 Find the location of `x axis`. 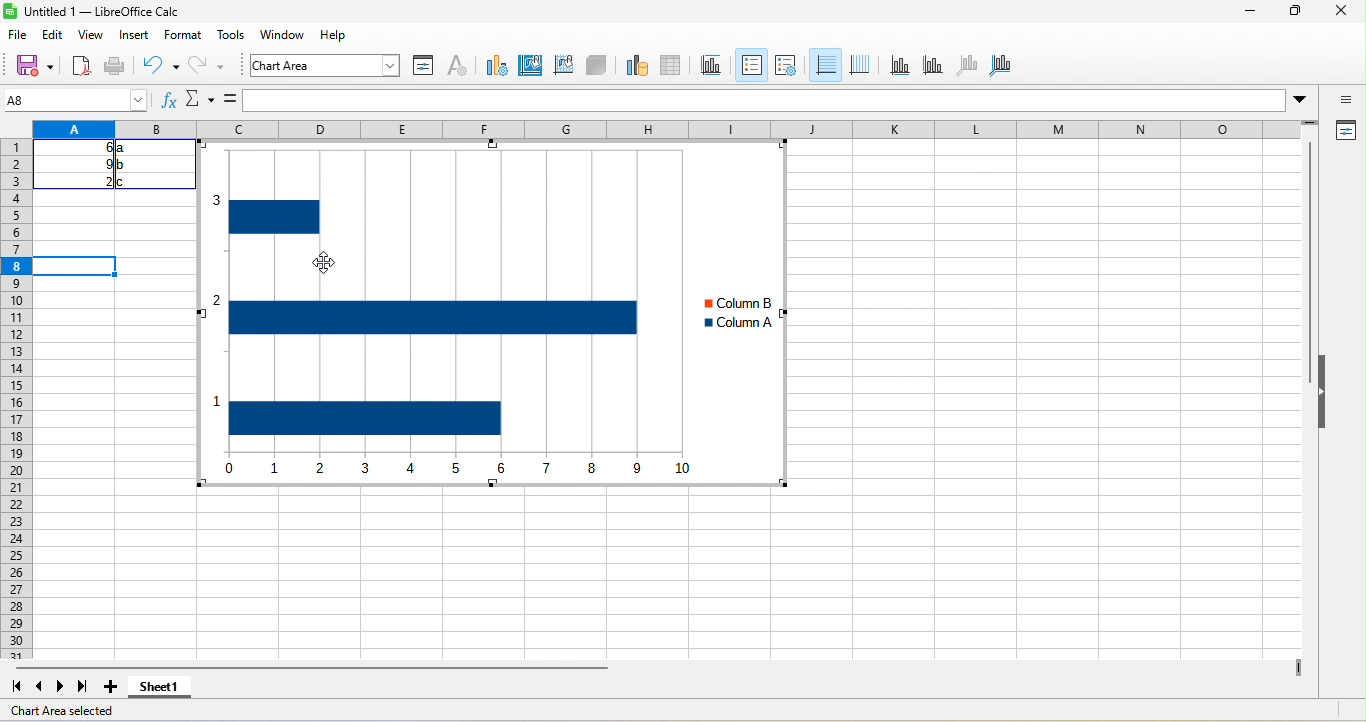

x axis is located at coordinates (898, 68).